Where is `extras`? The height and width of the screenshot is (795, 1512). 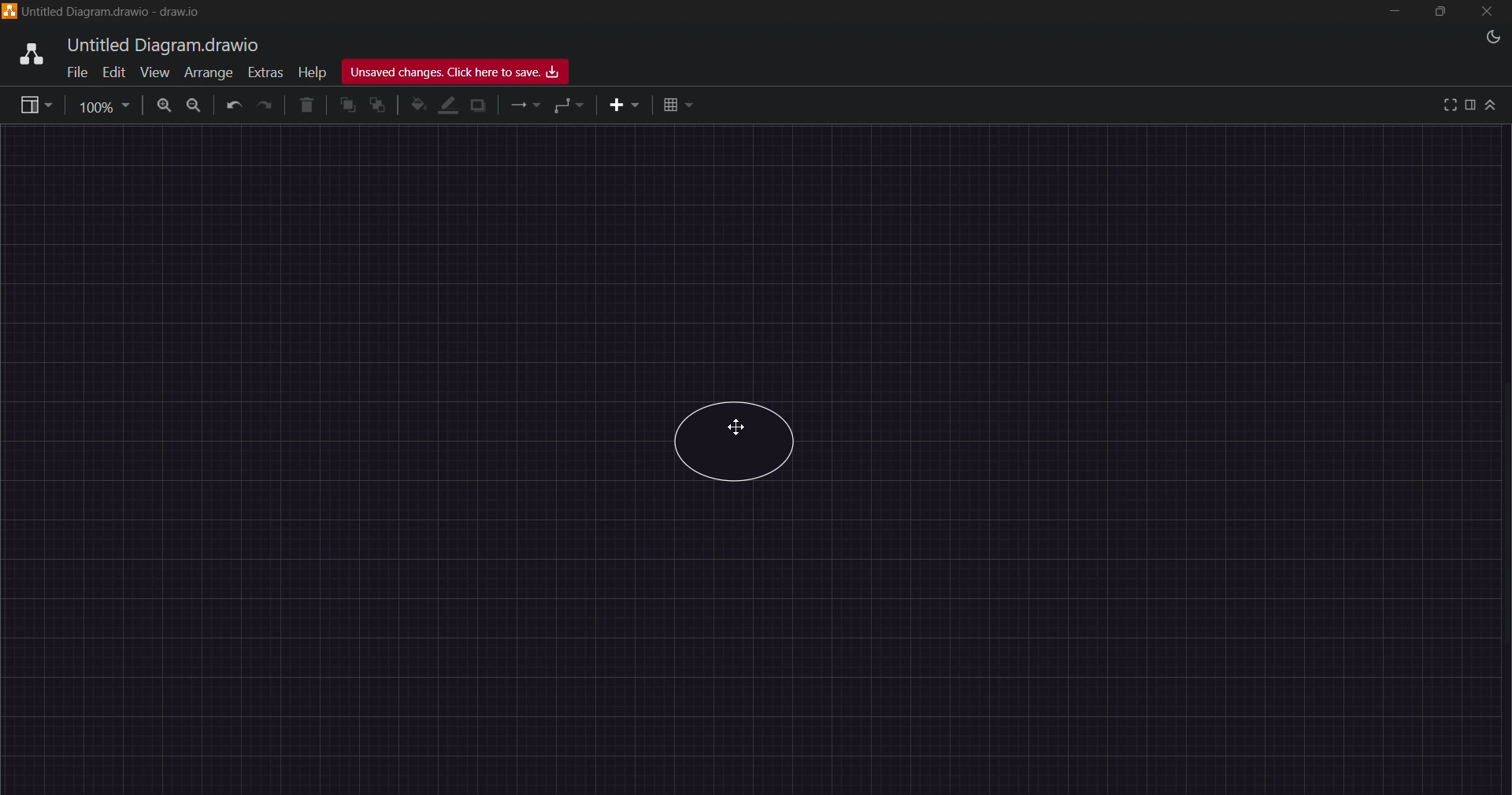 extras is located at coordinates (265, 71).